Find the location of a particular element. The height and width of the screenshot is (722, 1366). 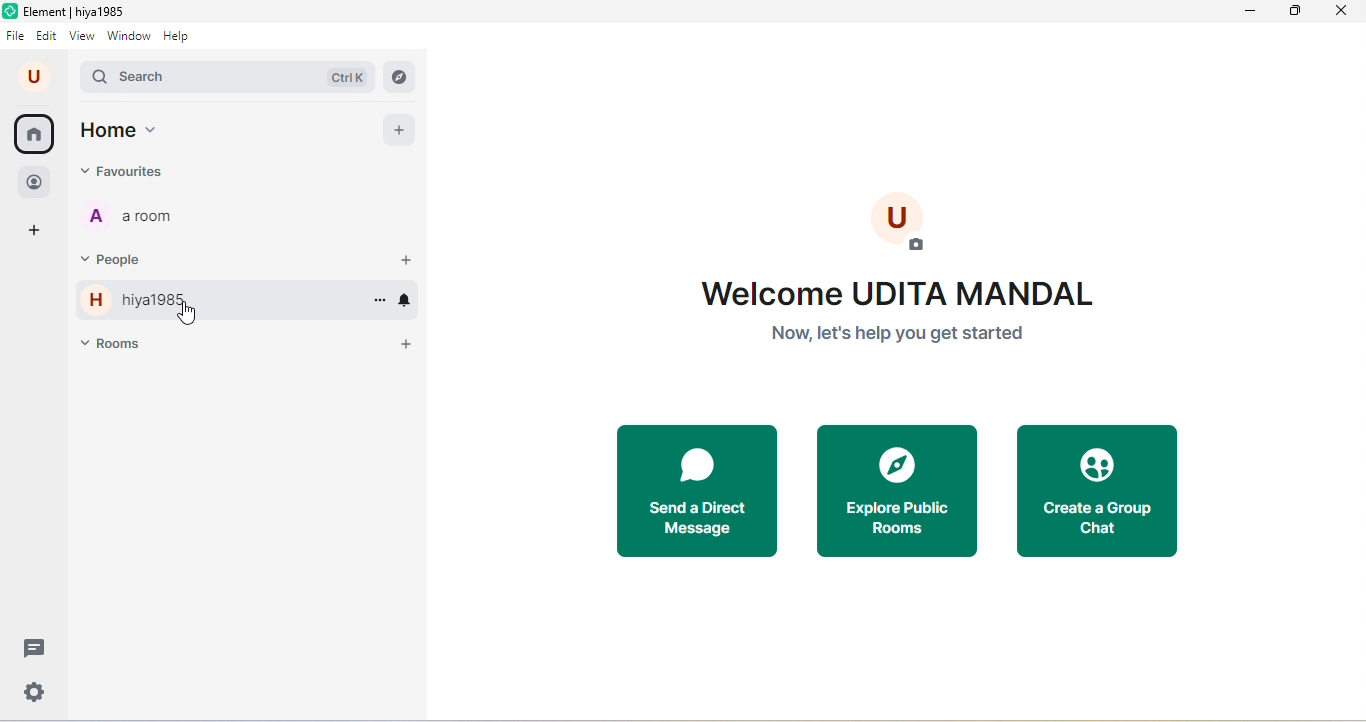

ctlk is located at coordinates (346, 76).